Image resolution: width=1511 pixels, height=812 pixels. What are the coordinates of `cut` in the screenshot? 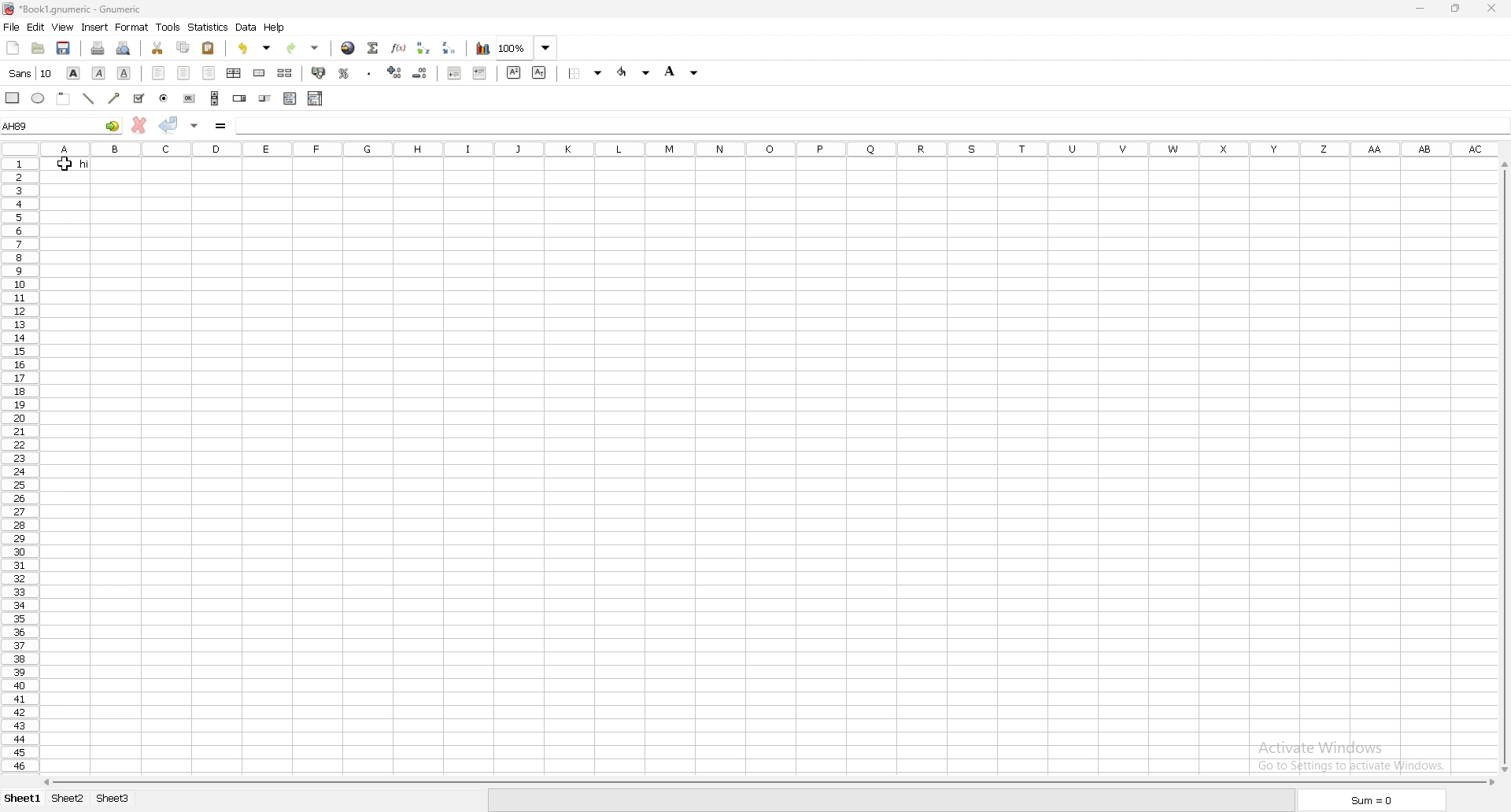 It's located at (158, 49).